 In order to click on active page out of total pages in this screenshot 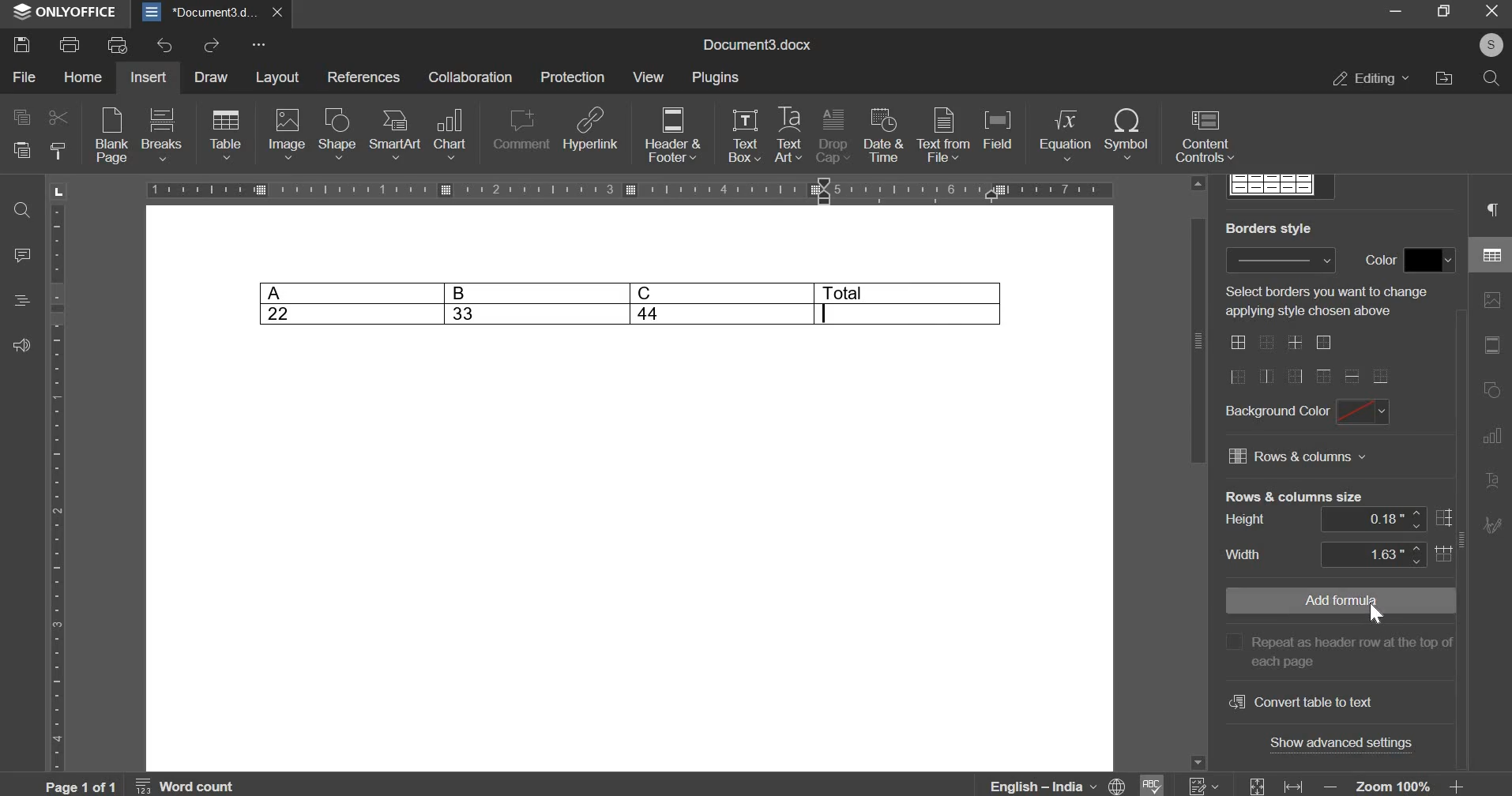, I will do `click(78, 786)`.